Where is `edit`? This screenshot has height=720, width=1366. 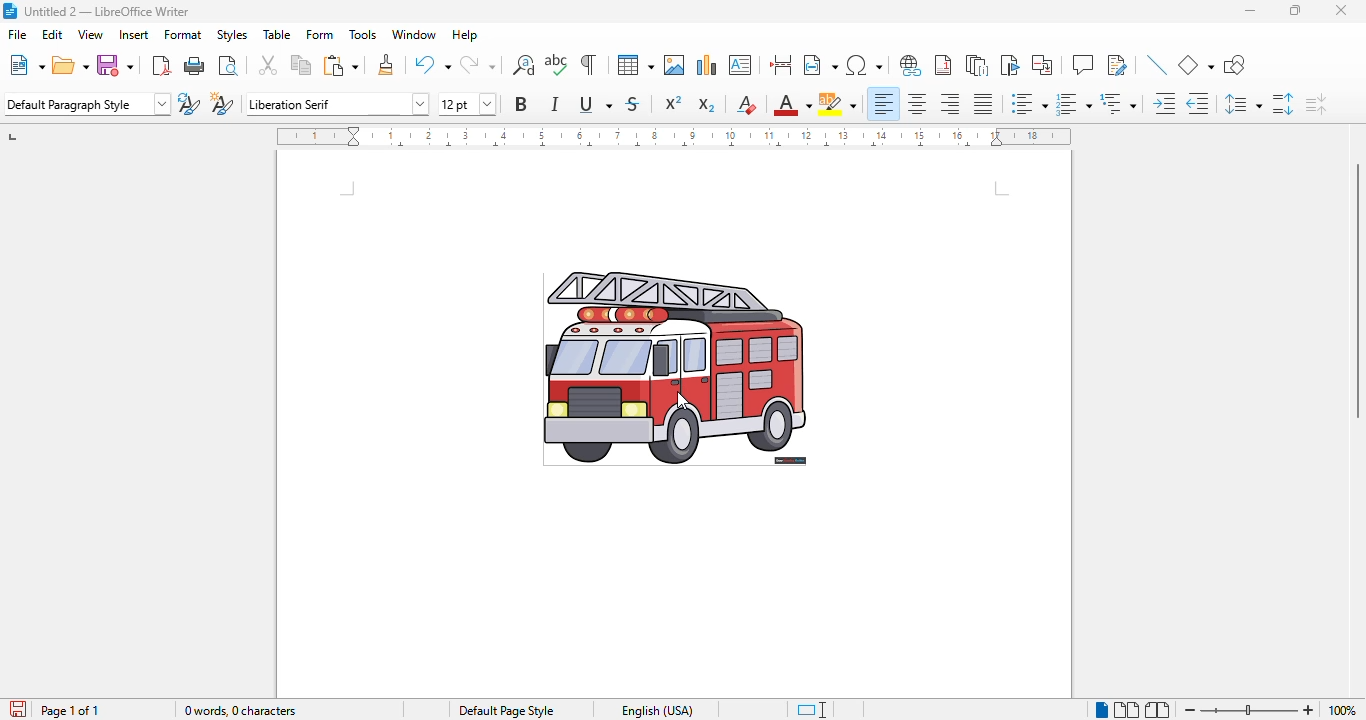
edit is located at coordinates (54, 34).